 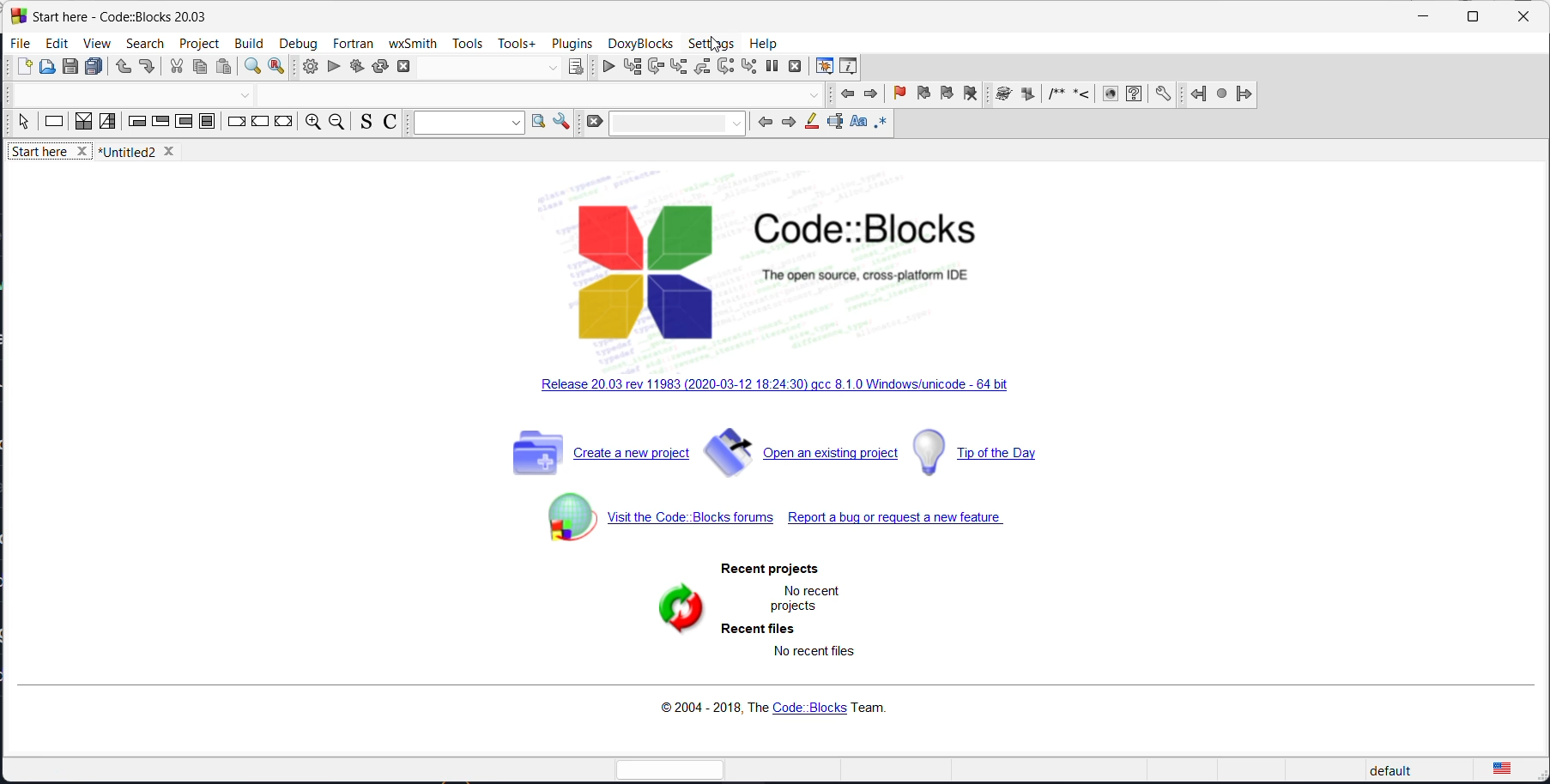 What do you see at coordinates (663, 614) in the screenshot?
I see `refresh` at bounding box center [663, 614].